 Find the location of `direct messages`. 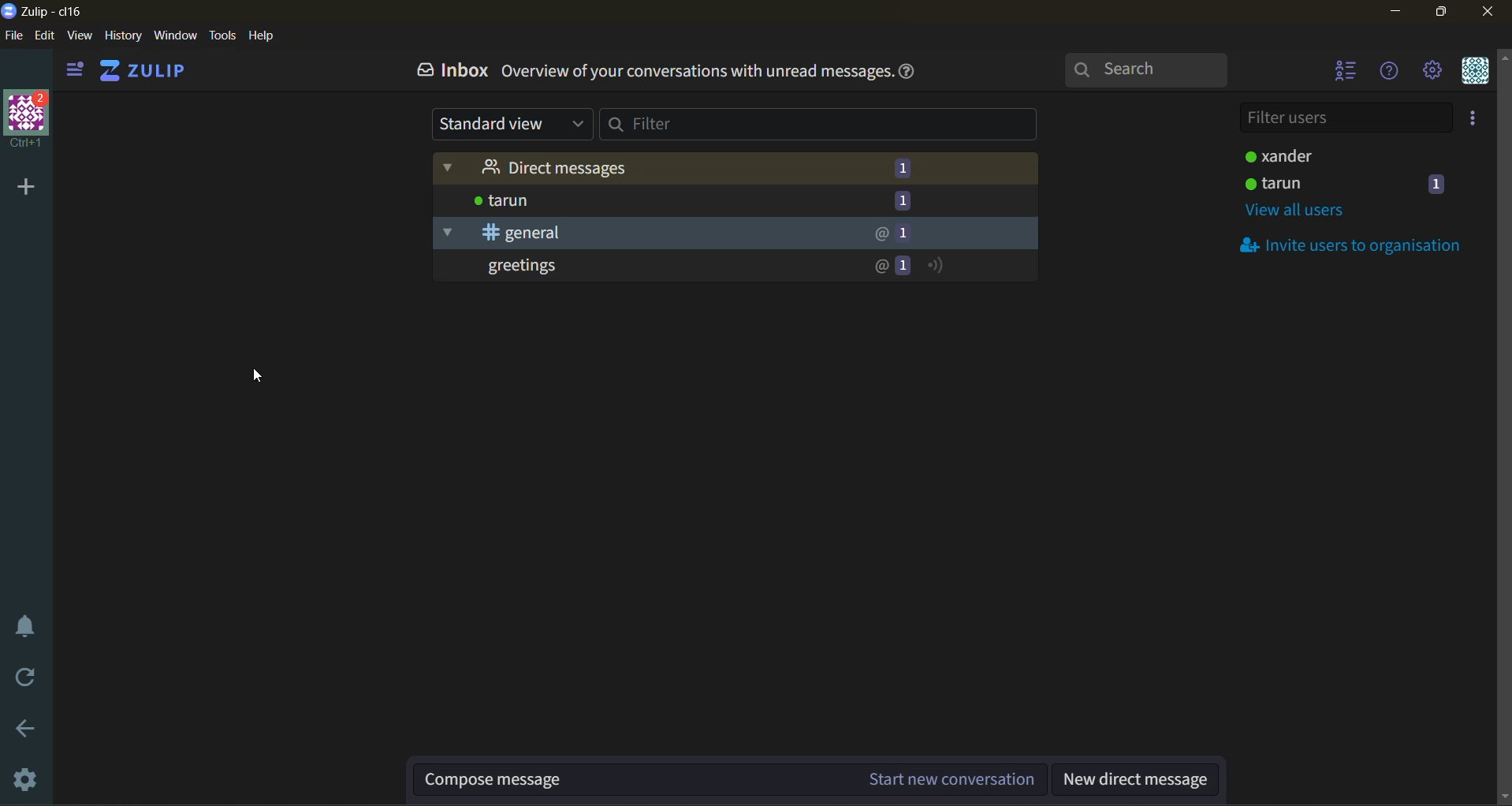

direct messages is located at coordinates (736, 170).